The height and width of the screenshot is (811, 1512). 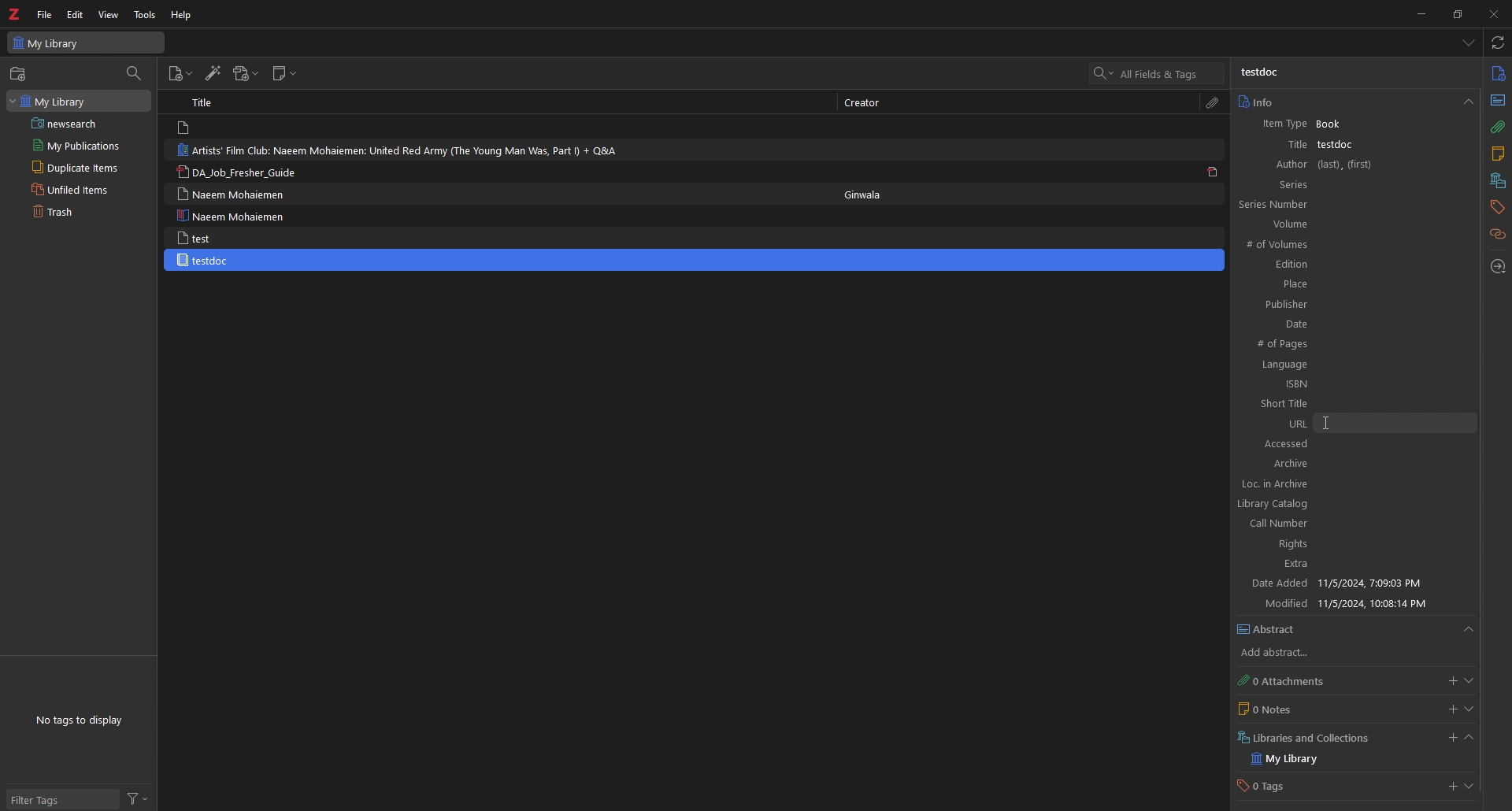 I want to click on info, so click(x=1354, y=102).